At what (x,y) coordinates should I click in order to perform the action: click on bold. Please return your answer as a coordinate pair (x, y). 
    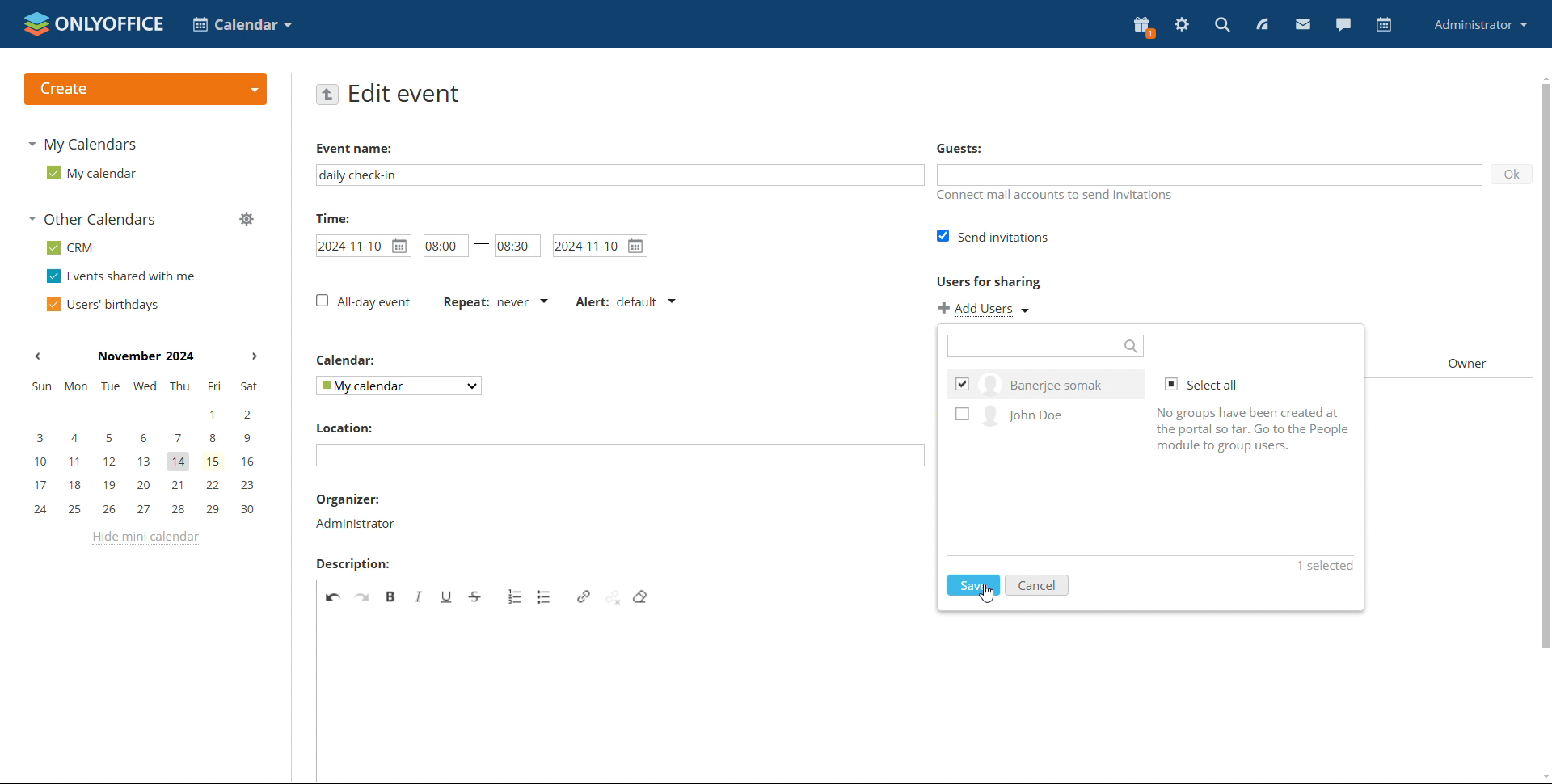
    Looking at the image, I should click on (392, 596).